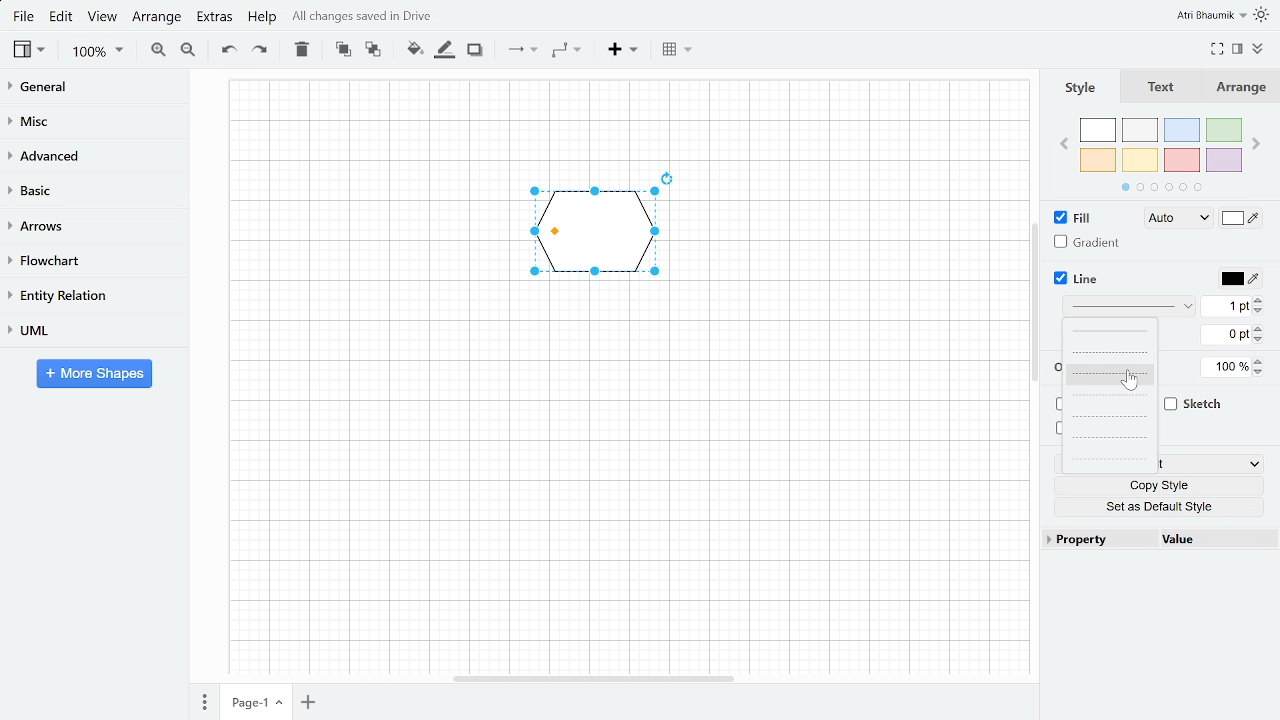 The height and width of the screenshot is (720, 1280). I want to click on Line style, so click(1129, 306).